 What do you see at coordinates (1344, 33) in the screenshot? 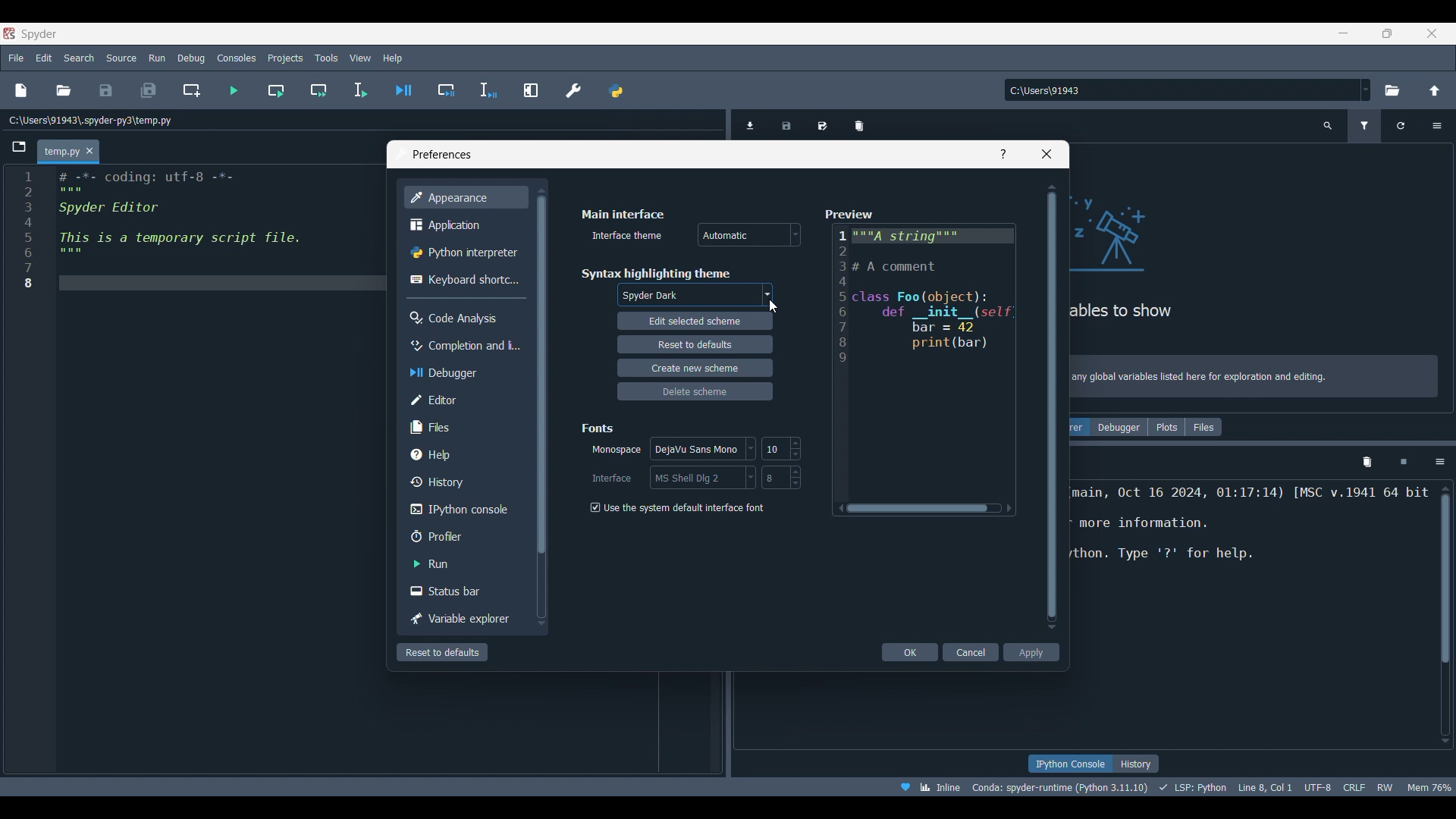
I see `Minimize` at bounding box center [1344, 33].